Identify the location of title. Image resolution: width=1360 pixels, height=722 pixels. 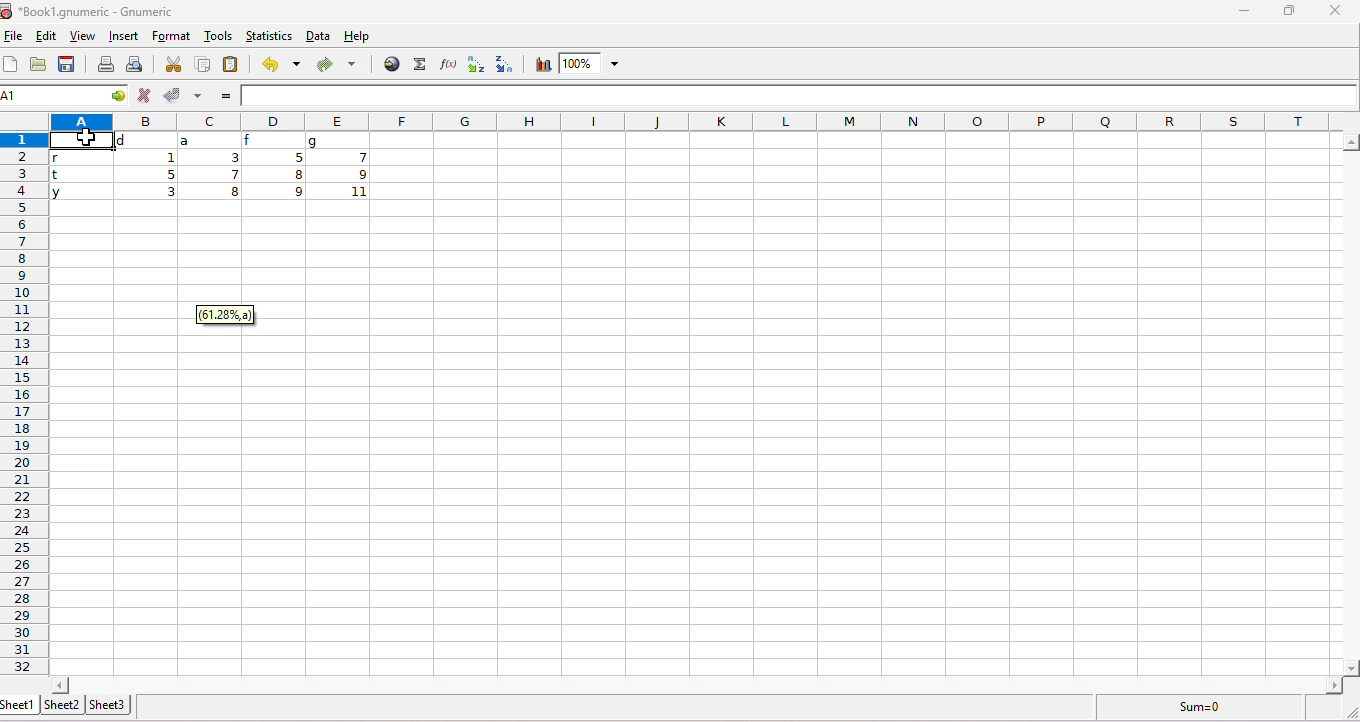
(90, 11).